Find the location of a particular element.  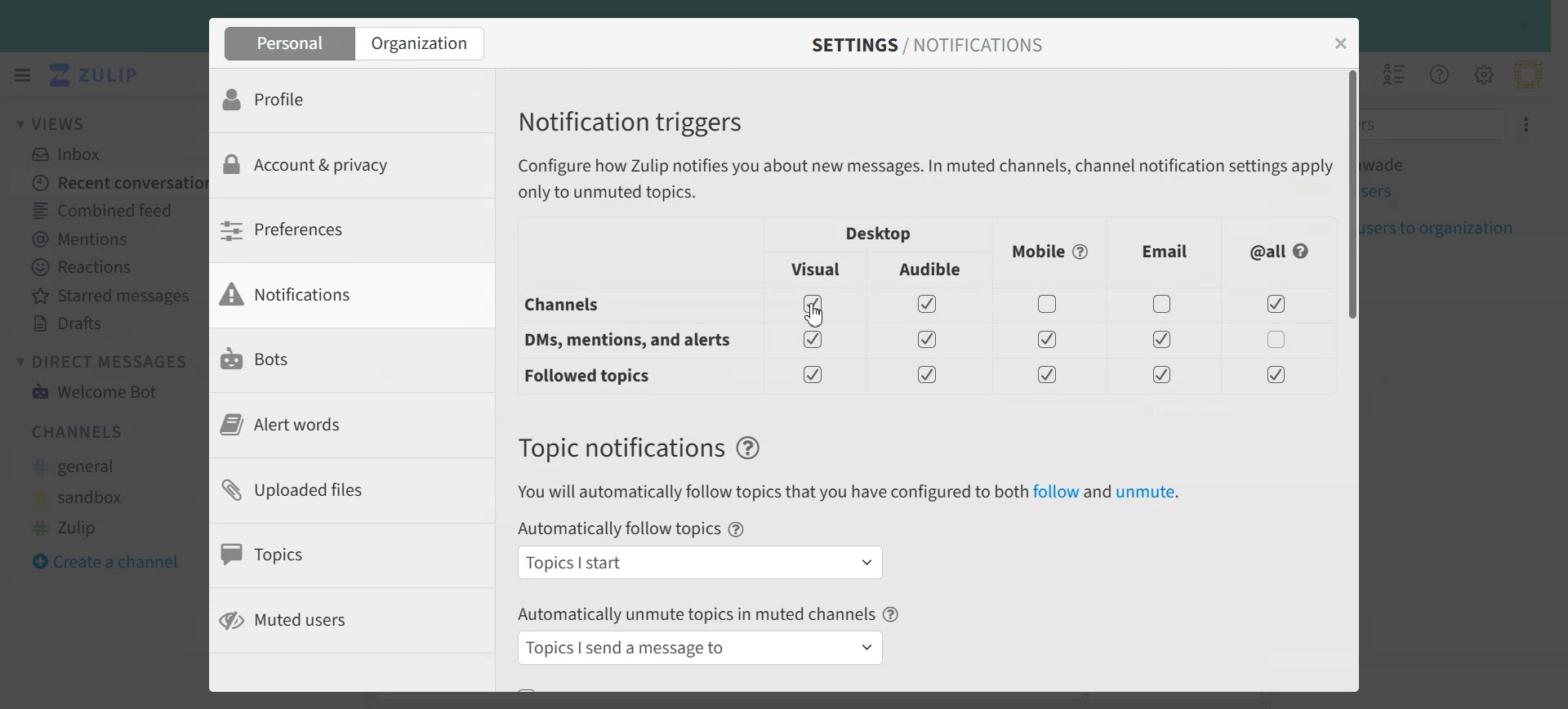

Help is located at coordinates (892, 614).